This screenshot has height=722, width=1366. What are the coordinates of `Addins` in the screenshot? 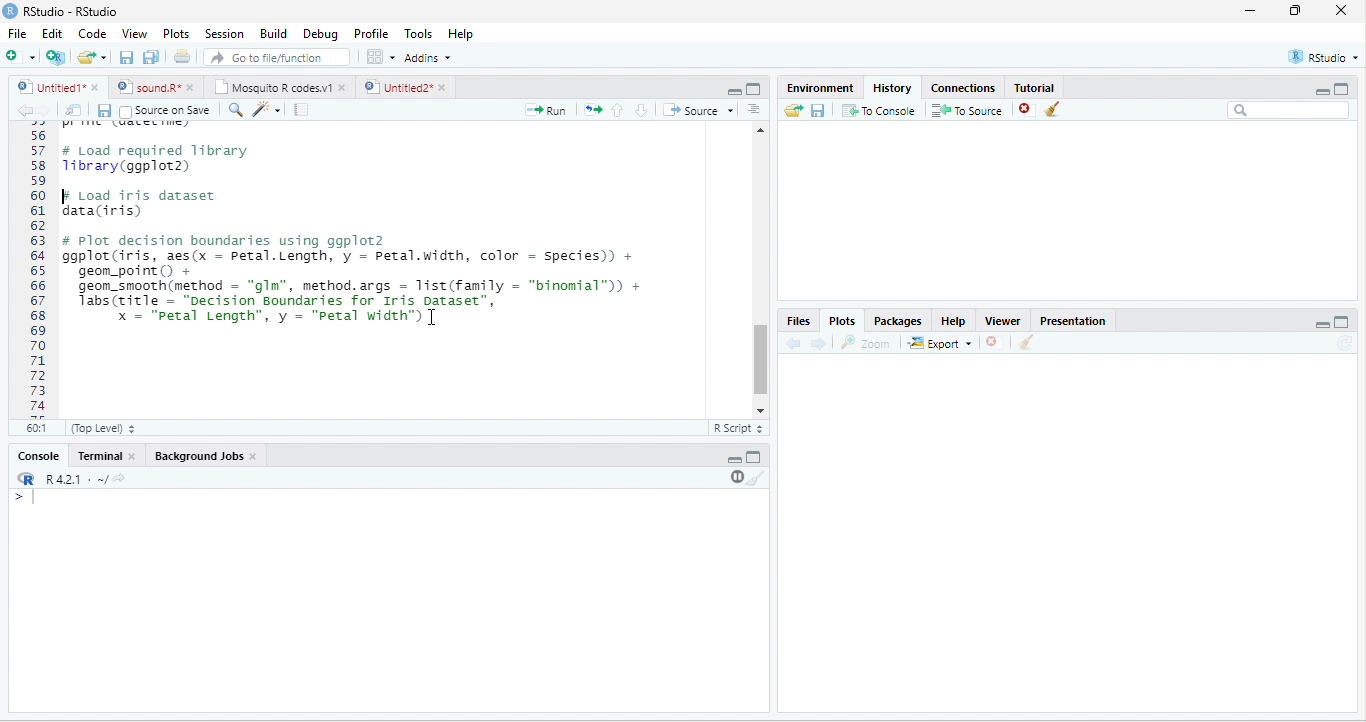 It's located at (428, 58).